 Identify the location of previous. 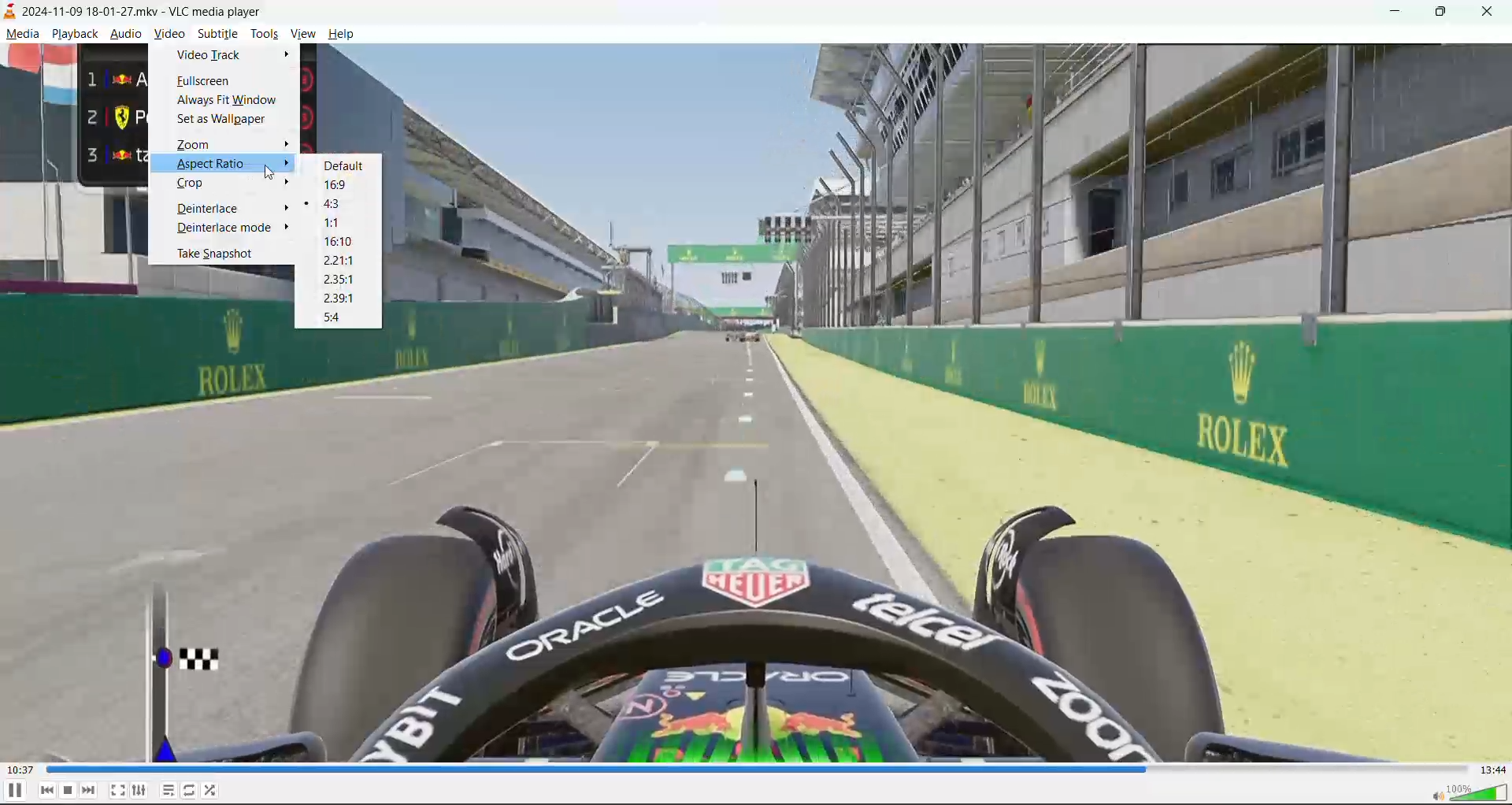
(47, 791).